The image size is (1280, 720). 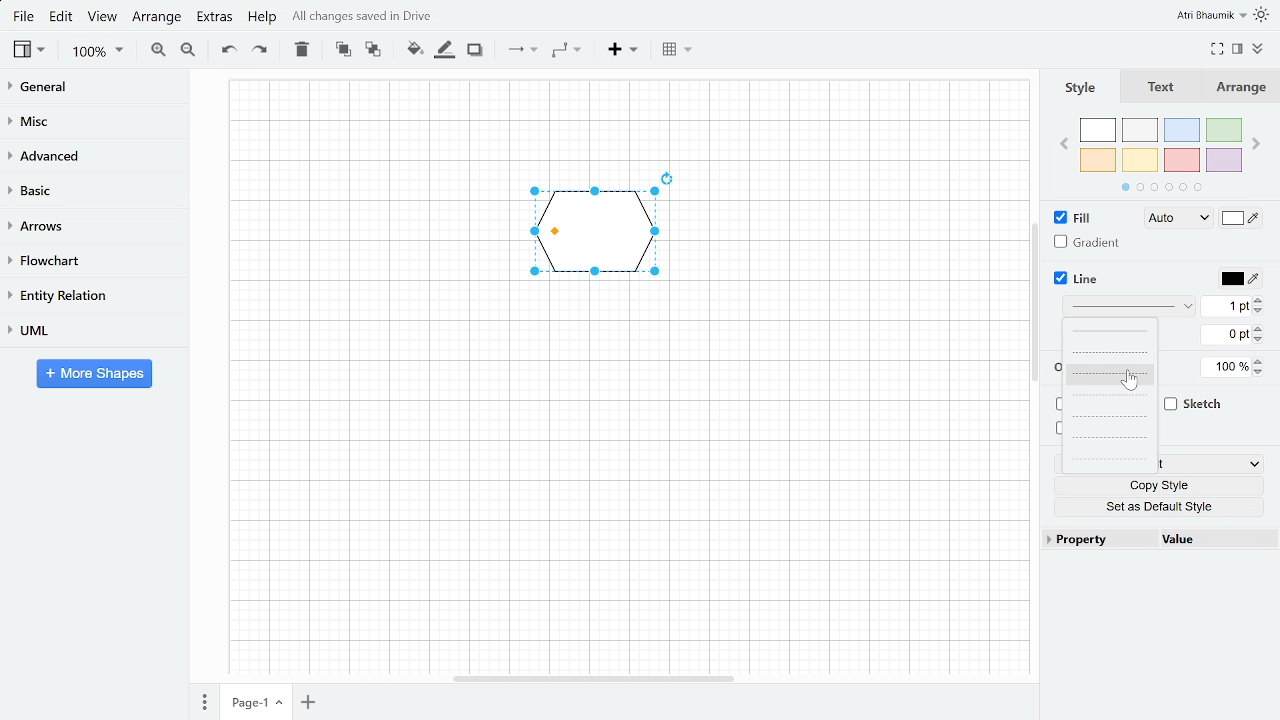 What do you see at coordinates (1110, 418) in the screenshot?
I see `Dotted 1` at bounding box center [1110, 418].